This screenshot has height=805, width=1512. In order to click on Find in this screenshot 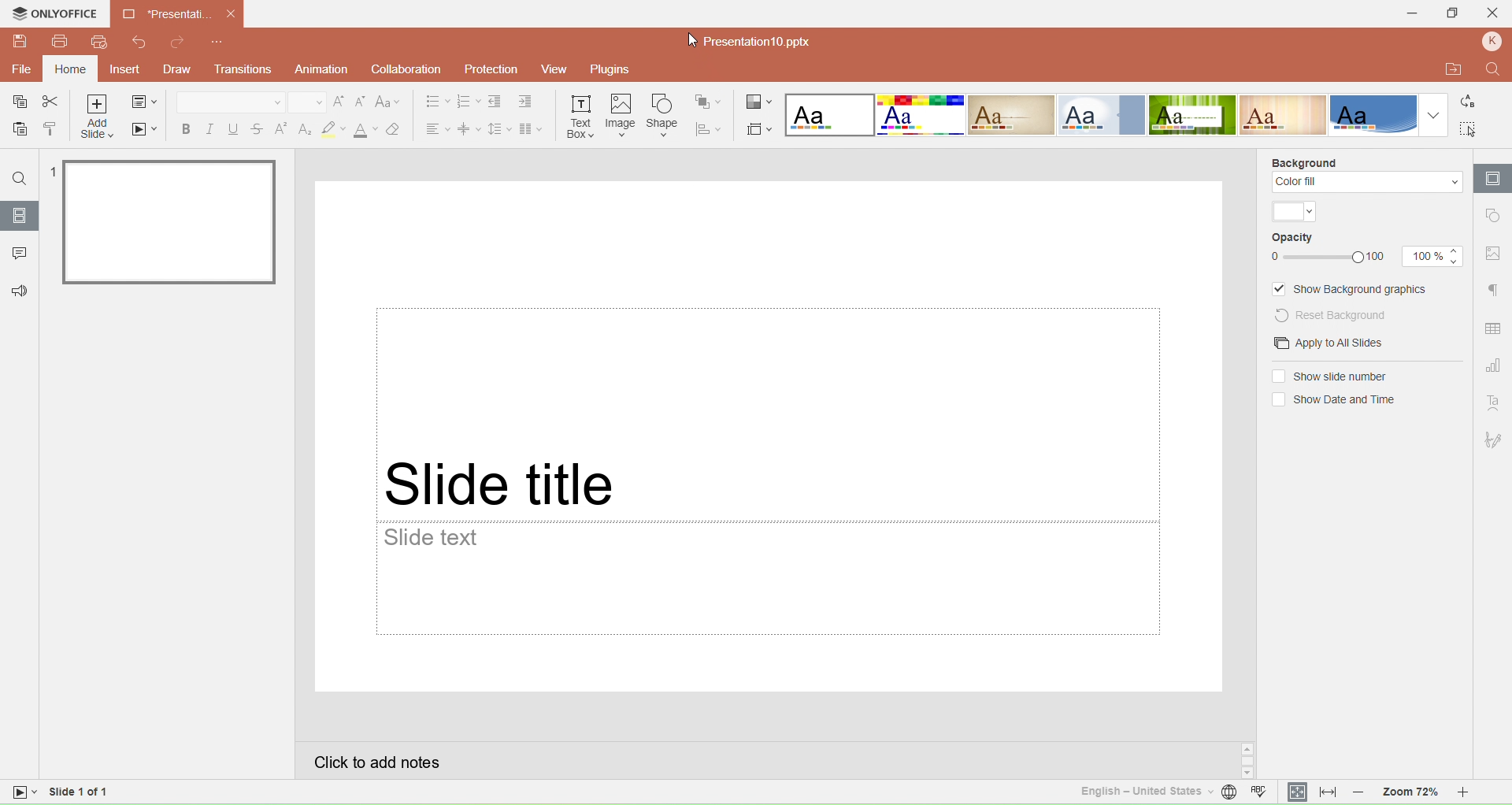, I will do `click(20, 179)`.